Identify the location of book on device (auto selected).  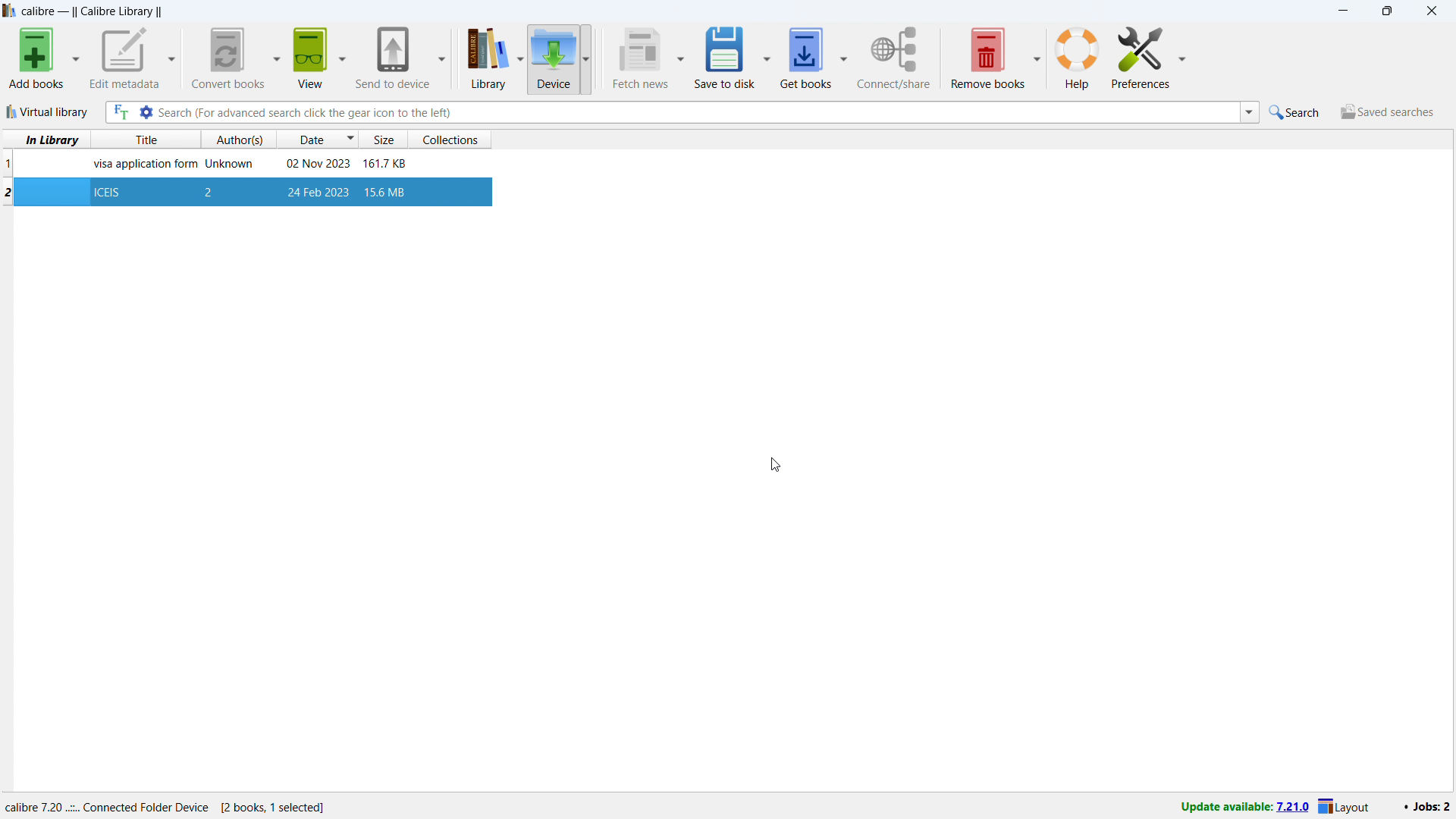
(244, 190).